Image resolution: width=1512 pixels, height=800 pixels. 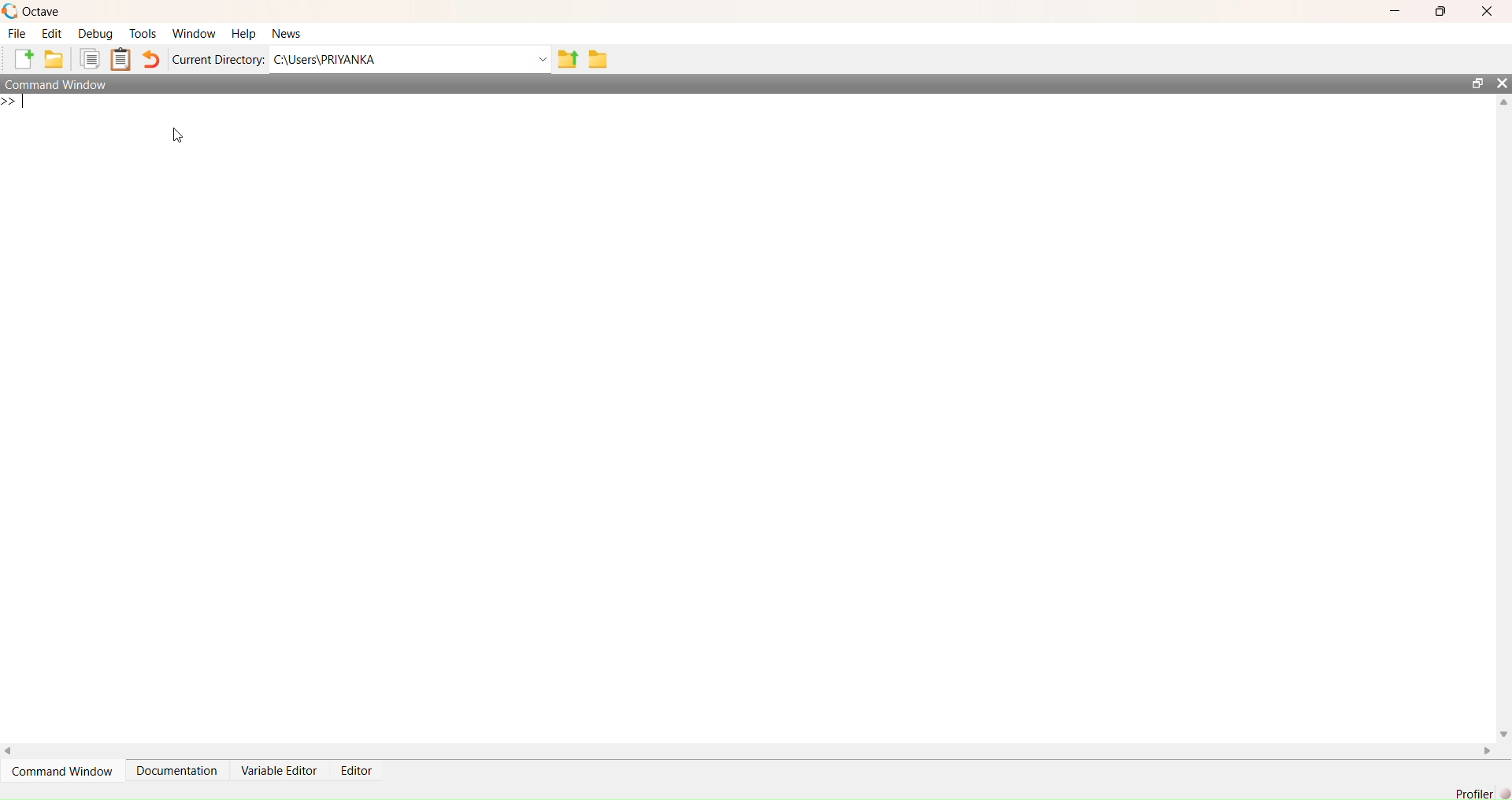 I want to click on export, so click(x=569, y=64).